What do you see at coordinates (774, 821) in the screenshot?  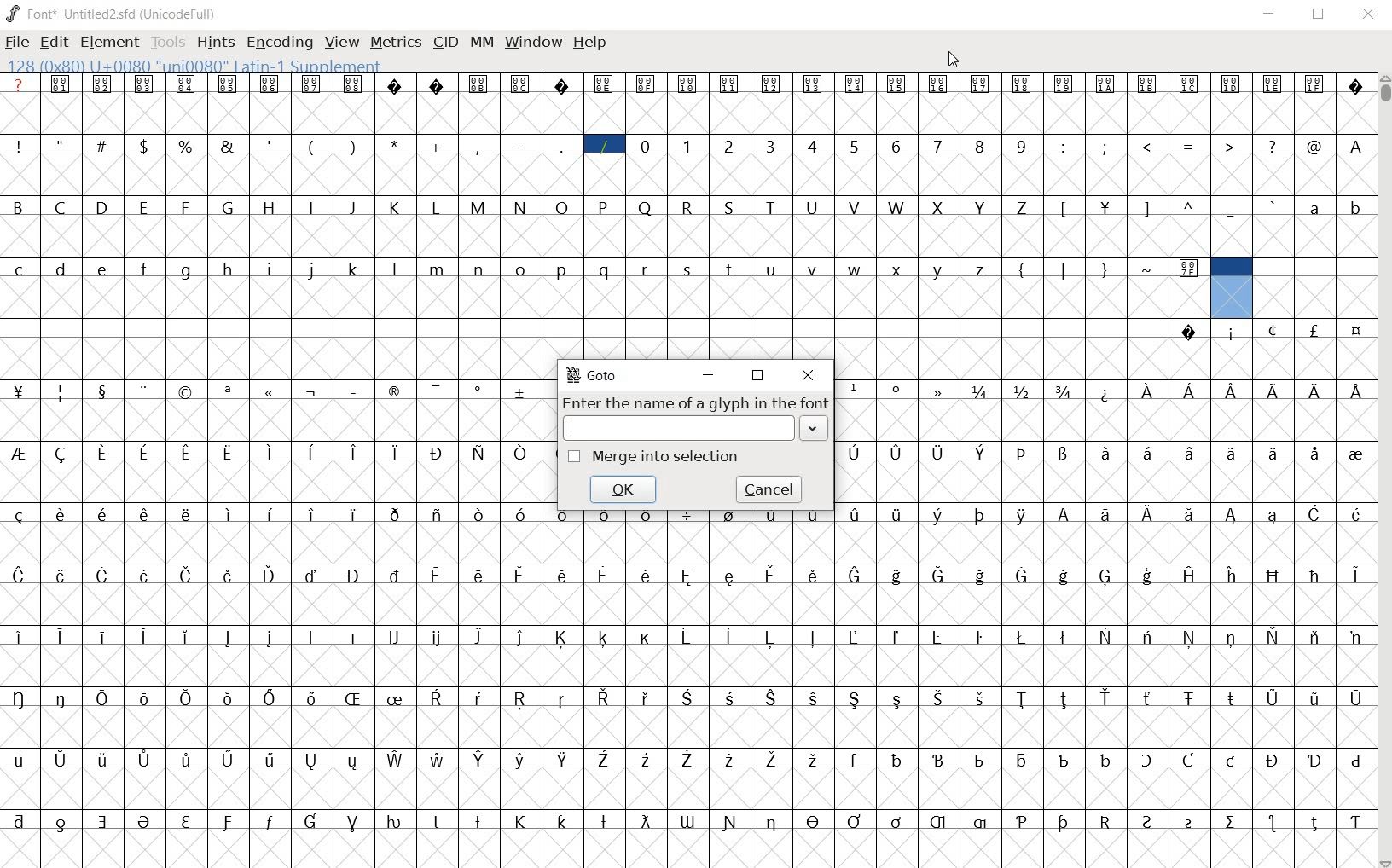 I see `Symbol` at bounding box center [774, 821].